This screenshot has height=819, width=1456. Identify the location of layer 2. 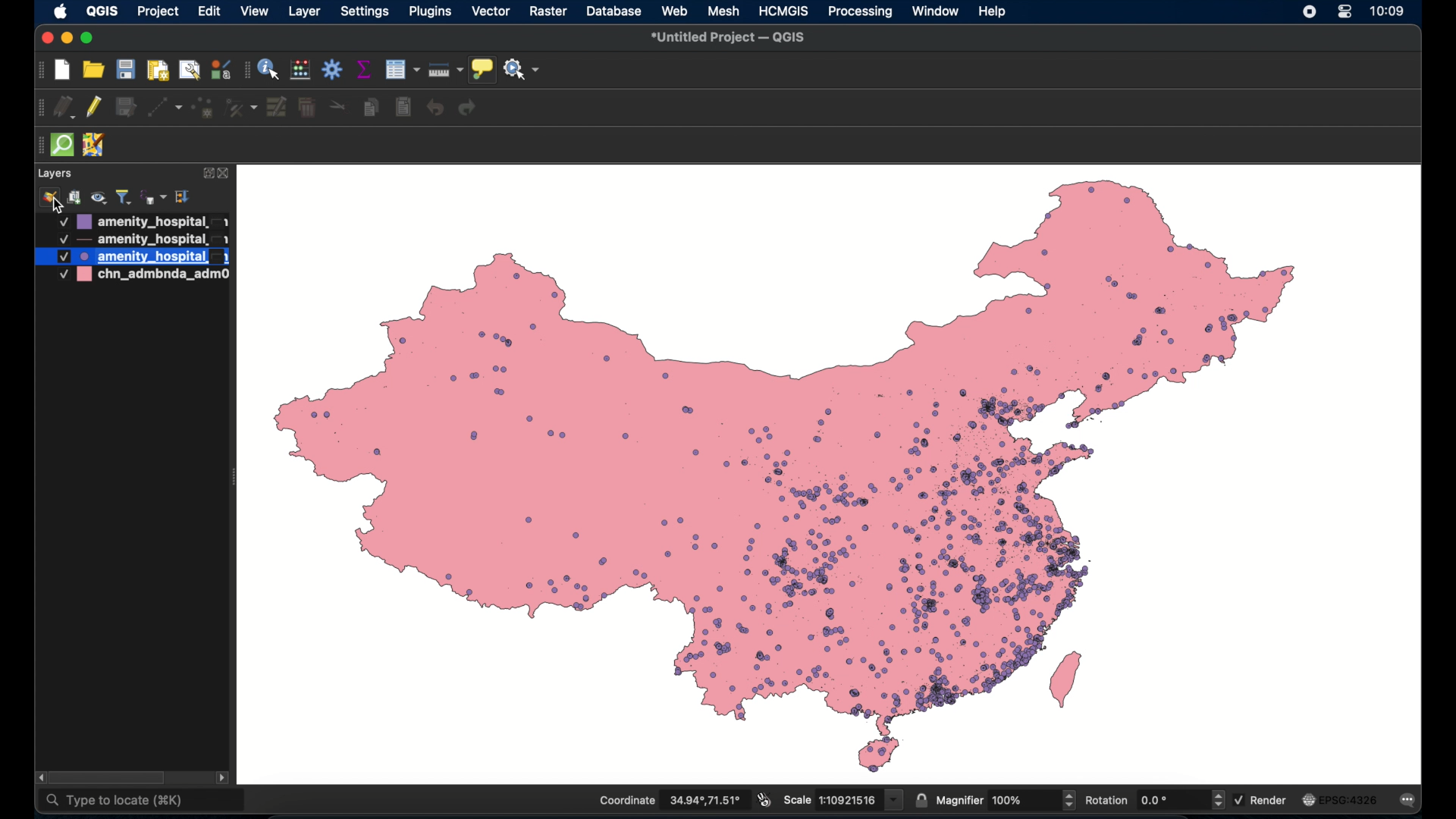
(141, 240).